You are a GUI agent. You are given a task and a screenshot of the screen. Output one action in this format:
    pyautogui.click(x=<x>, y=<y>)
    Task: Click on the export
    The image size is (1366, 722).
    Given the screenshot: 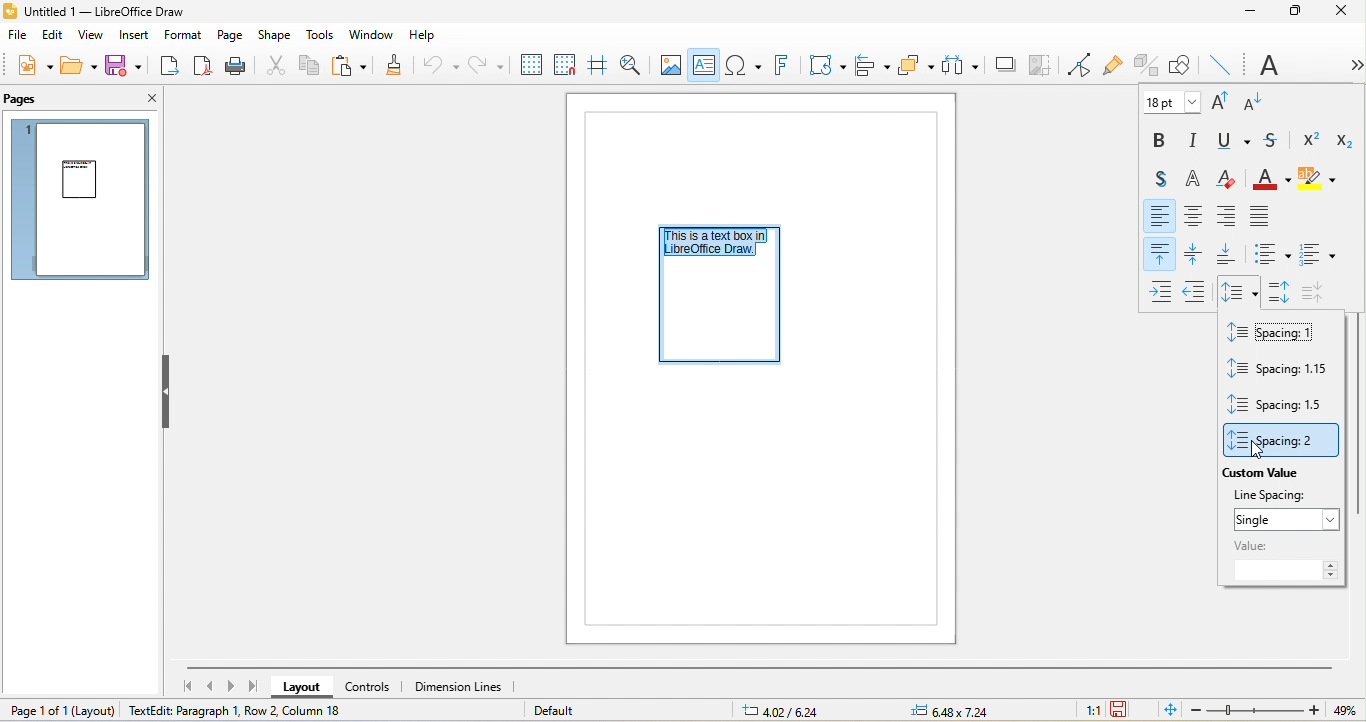 What is the action you would take?
    pyautogui.click(x=173, y=67)
    